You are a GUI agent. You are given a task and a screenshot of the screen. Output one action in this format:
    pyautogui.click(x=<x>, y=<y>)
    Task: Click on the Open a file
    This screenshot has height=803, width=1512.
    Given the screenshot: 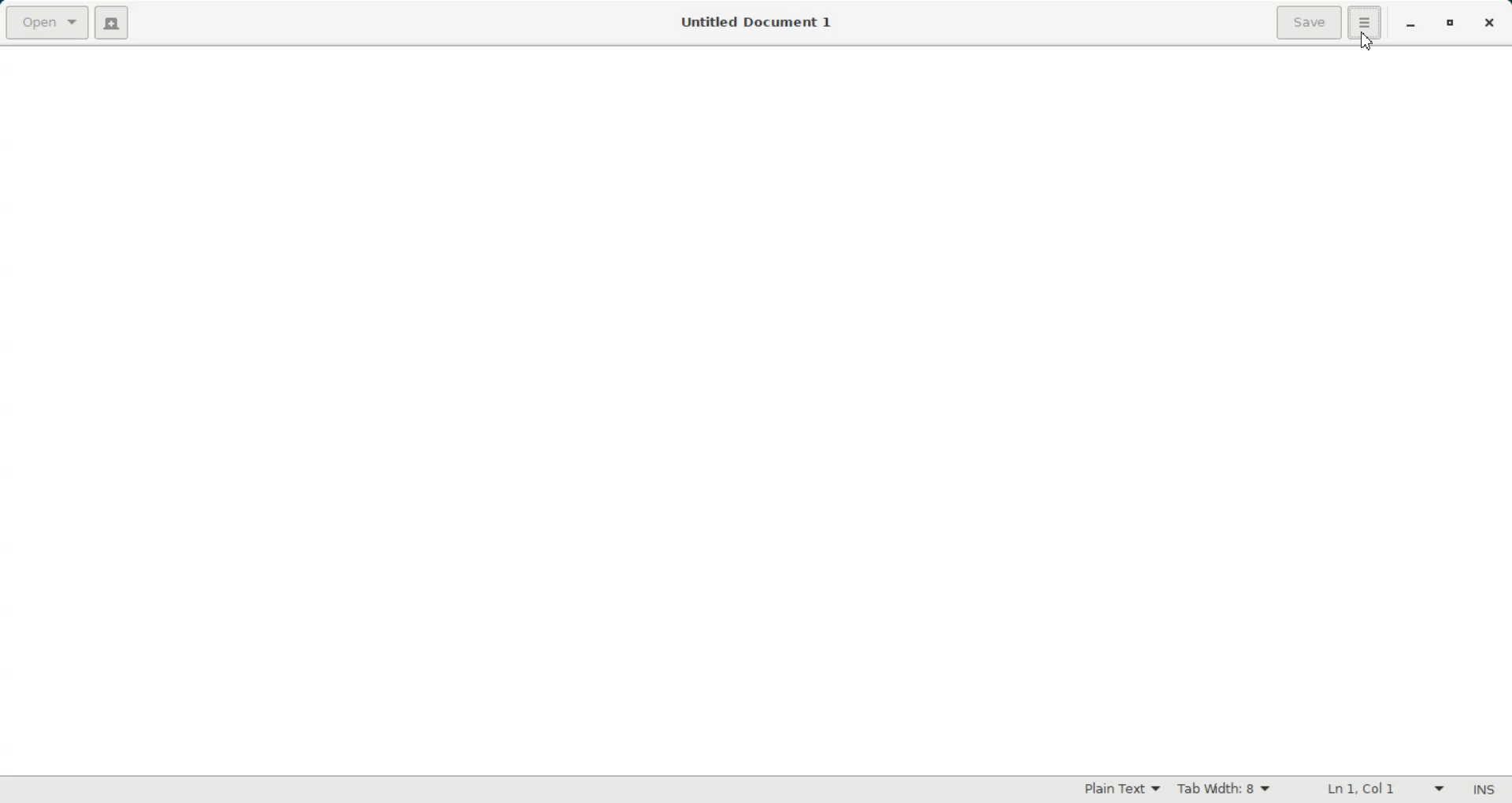 What is the action you would take?
    pyautogui.click(x=47, y=23)
    